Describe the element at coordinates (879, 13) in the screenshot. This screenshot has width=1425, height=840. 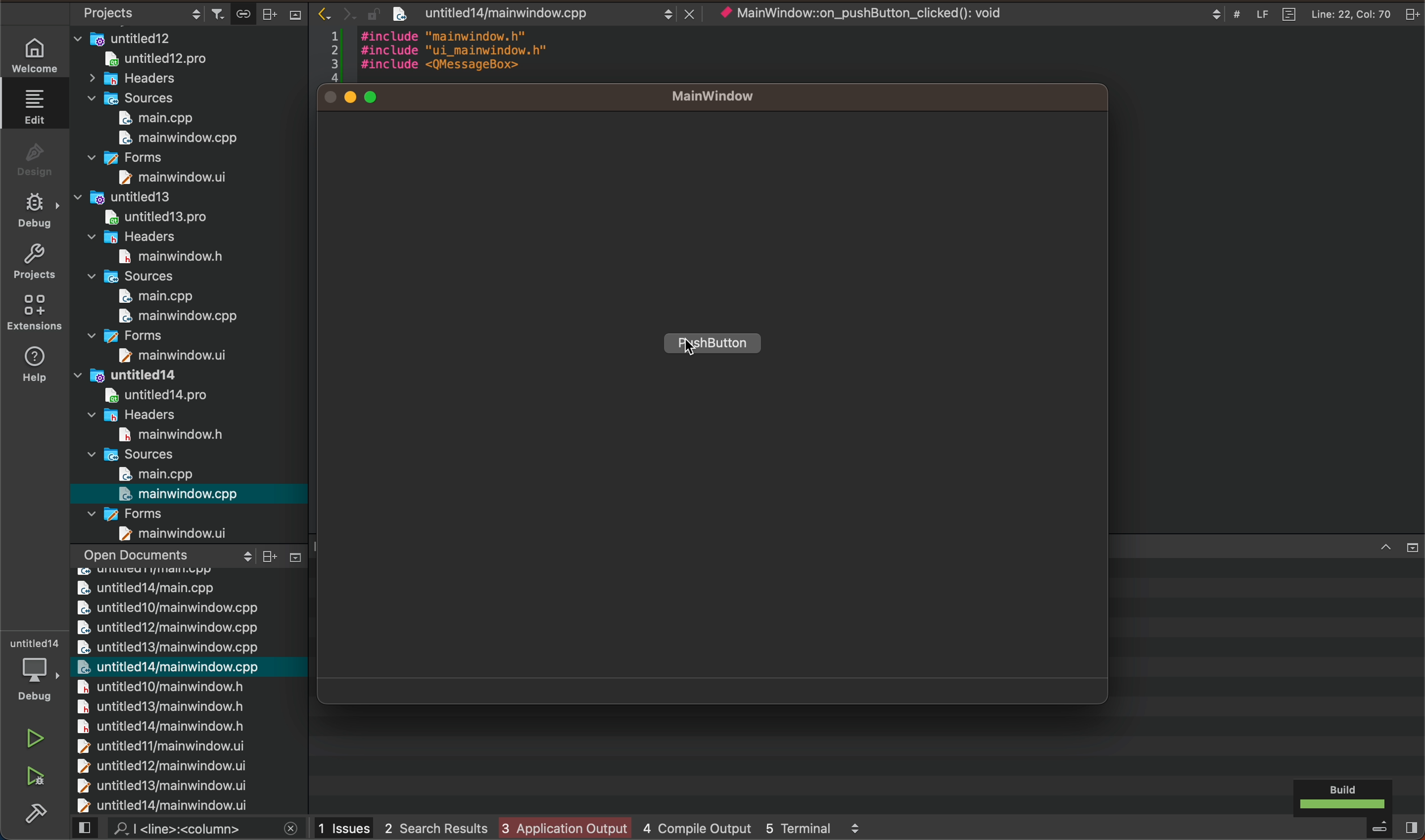
I see `object` at that location.